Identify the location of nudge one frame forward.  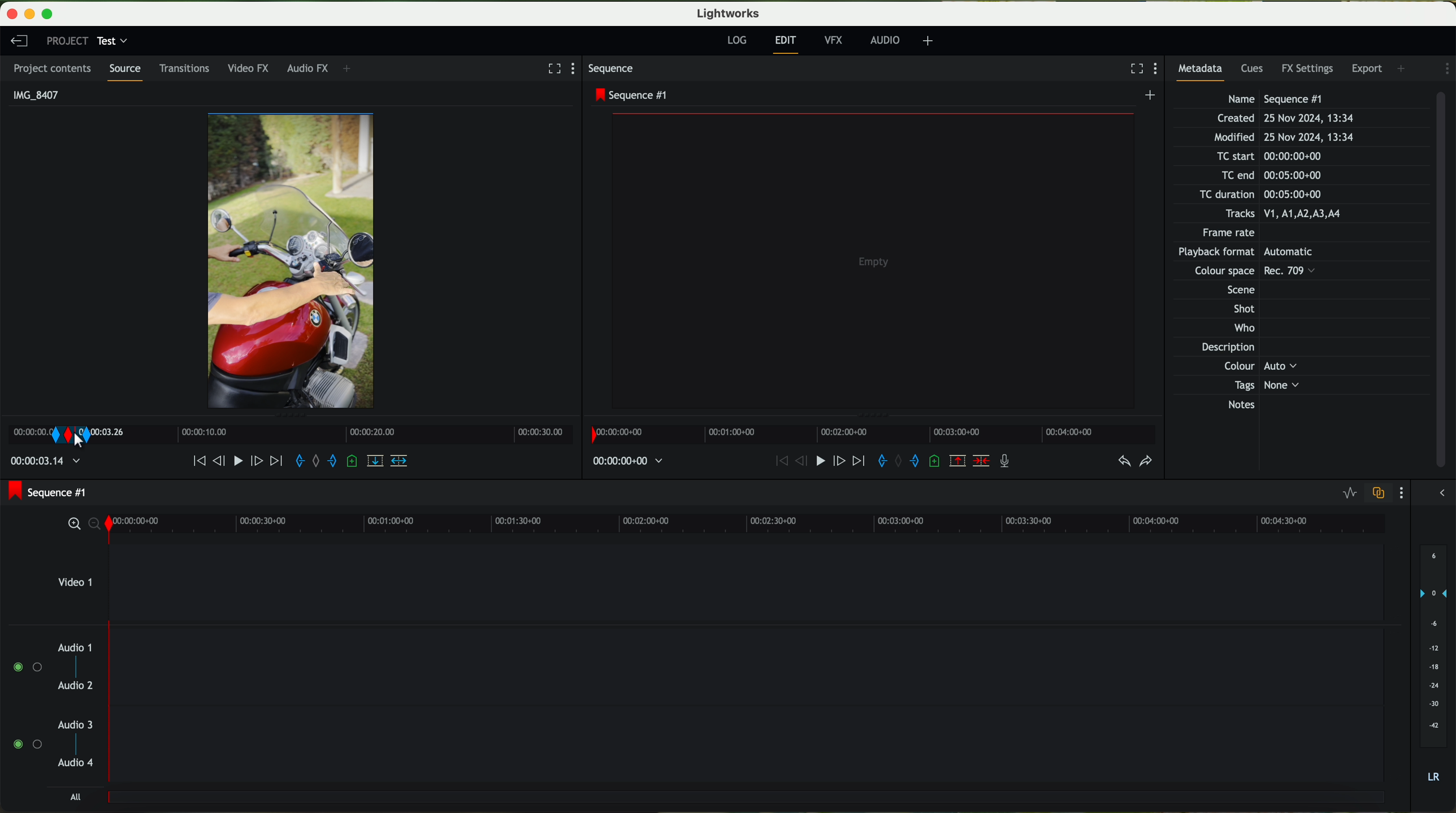
(259, 462).